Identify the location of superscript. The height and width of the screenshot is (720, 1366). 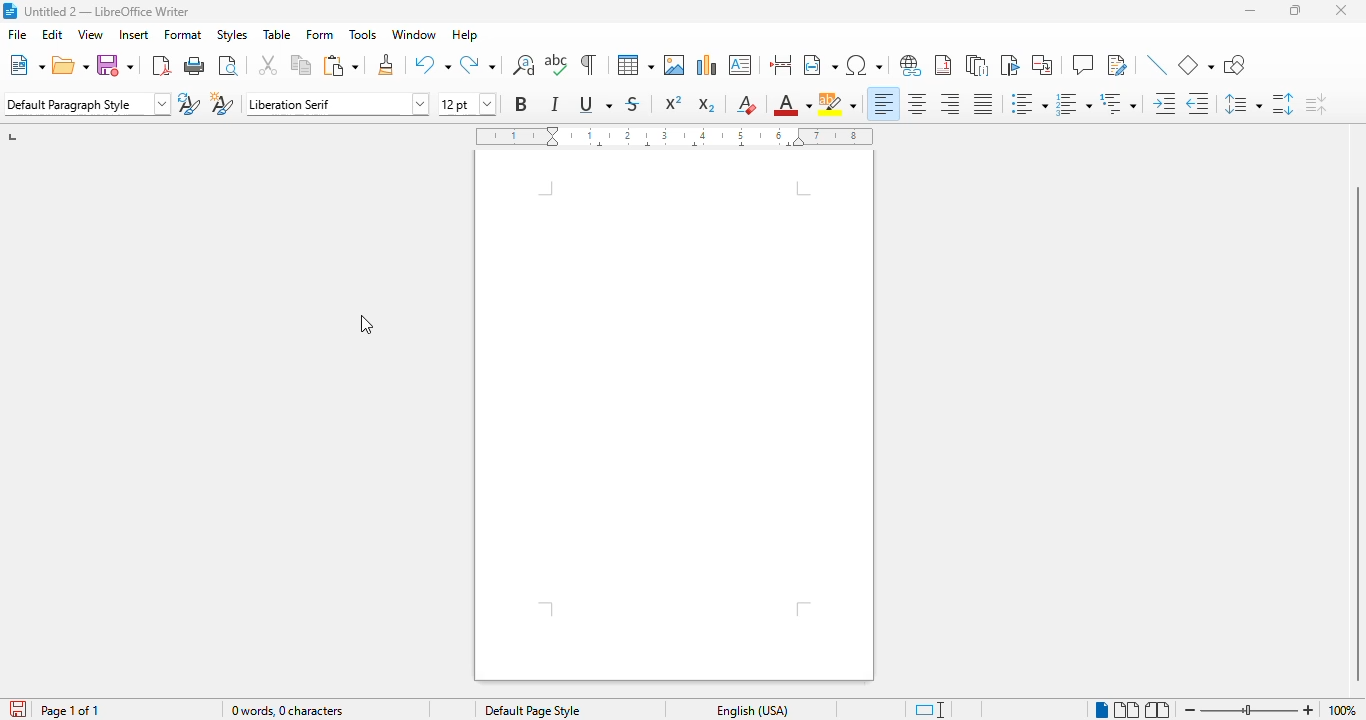
(674, 102).